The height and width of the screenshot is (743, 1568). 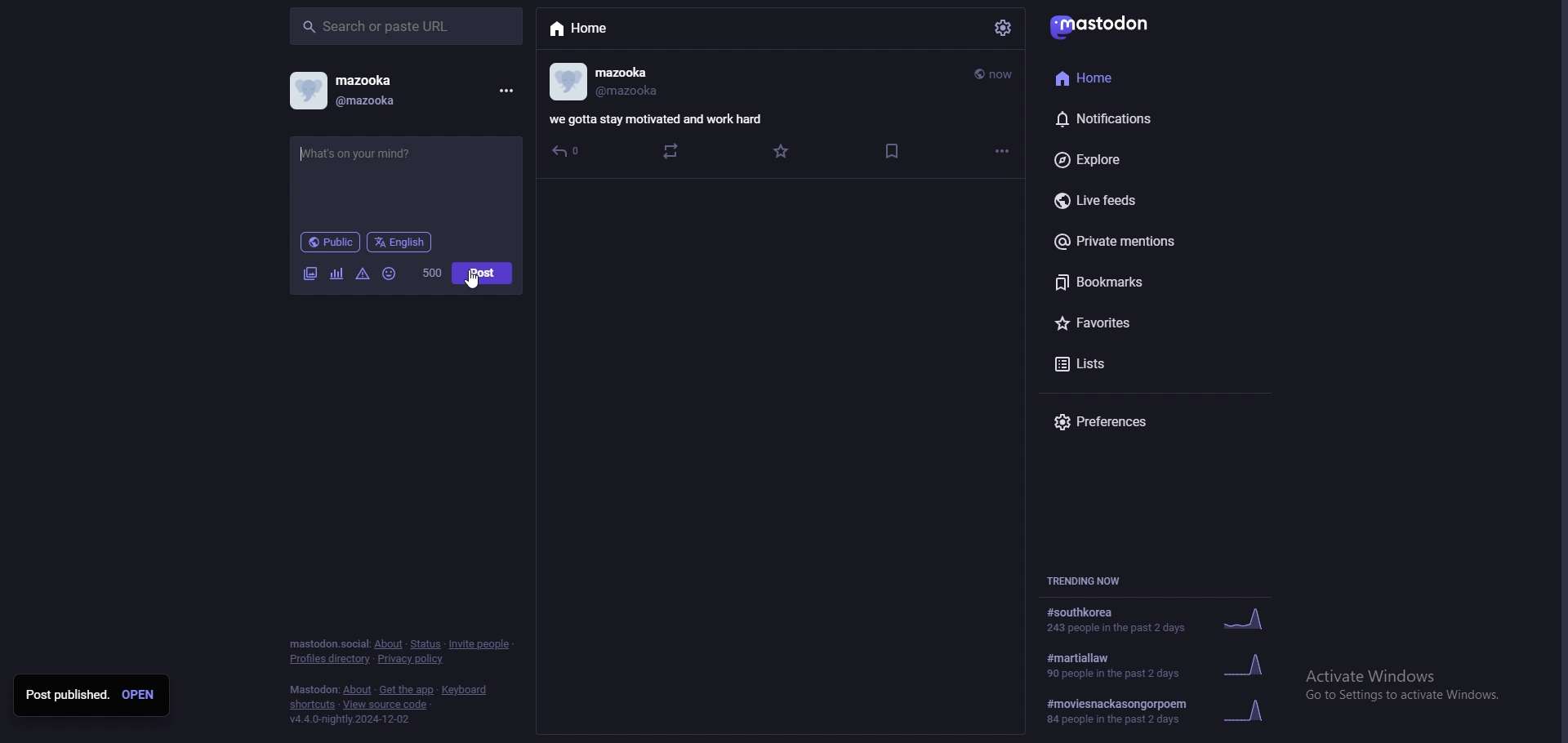 What do you see at coordinates (412, 659) in the screenshot?
I see `privacy policy` at bounding box center [412, 659].